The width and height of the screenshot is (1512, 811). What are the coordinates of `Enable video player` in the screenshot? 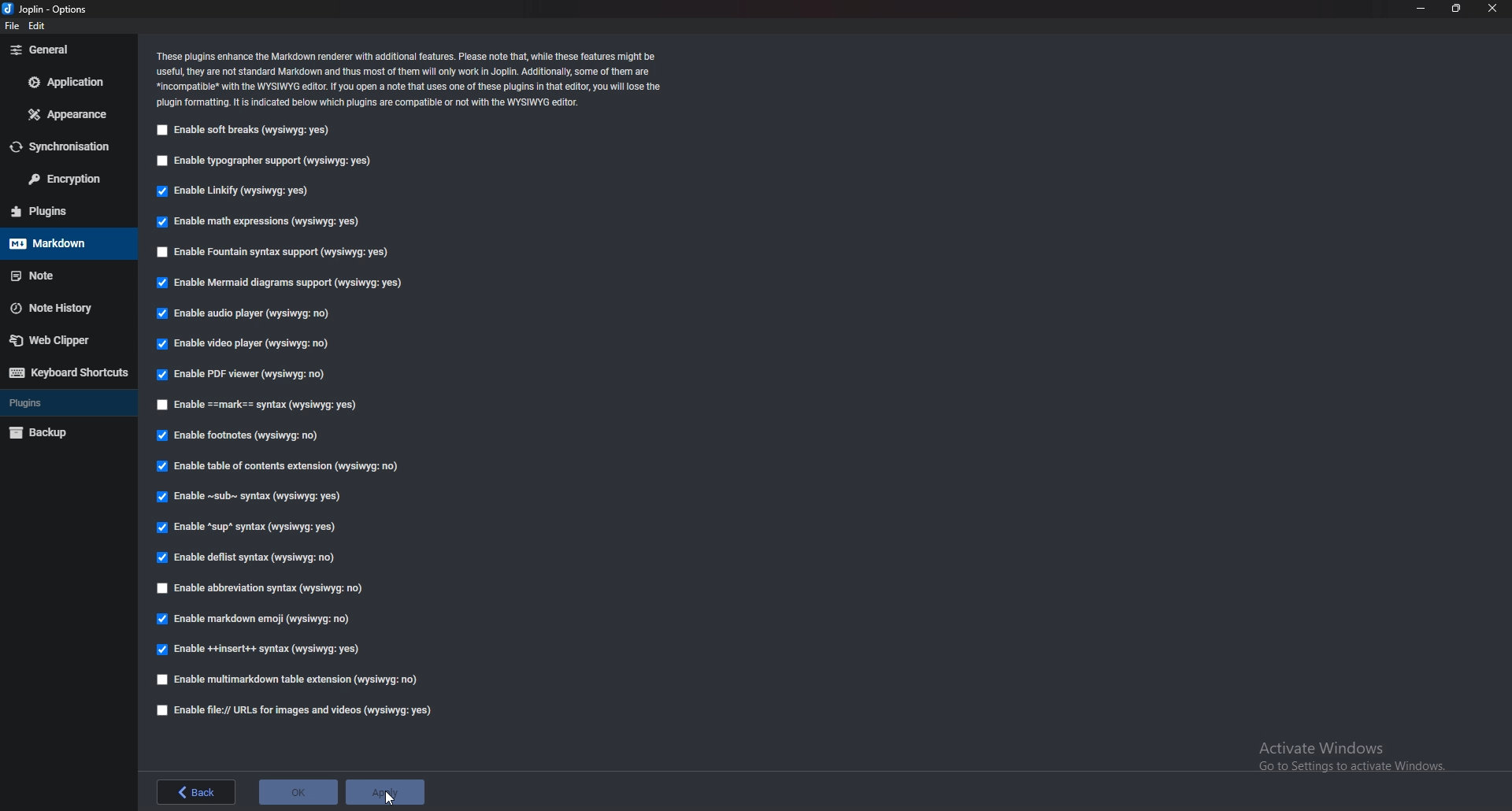 It's located at (248, 345).